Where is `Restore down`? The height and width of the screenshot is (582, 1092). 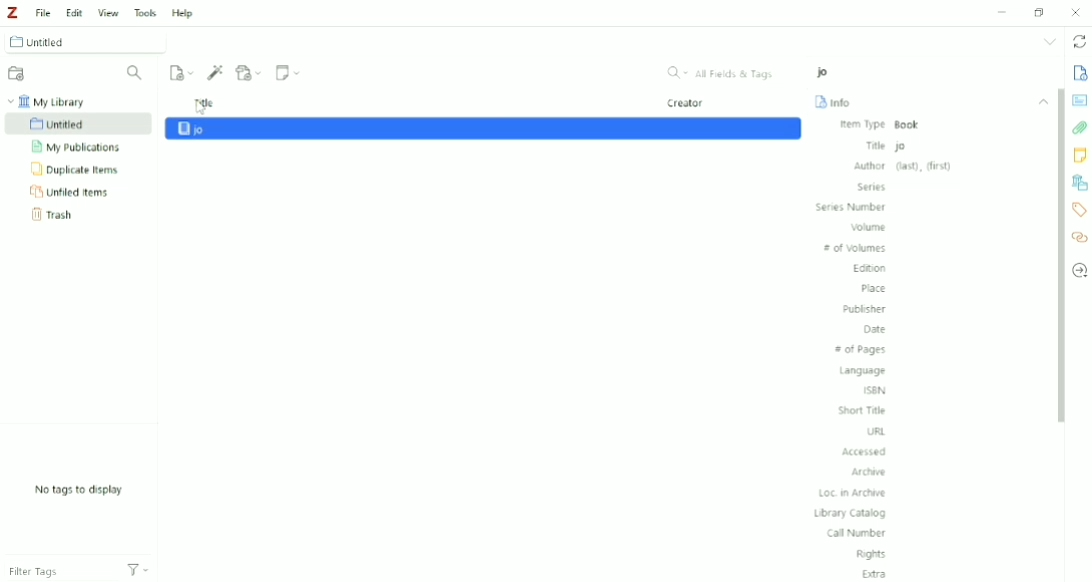
Restore down is located at coordinates (1041, 11).